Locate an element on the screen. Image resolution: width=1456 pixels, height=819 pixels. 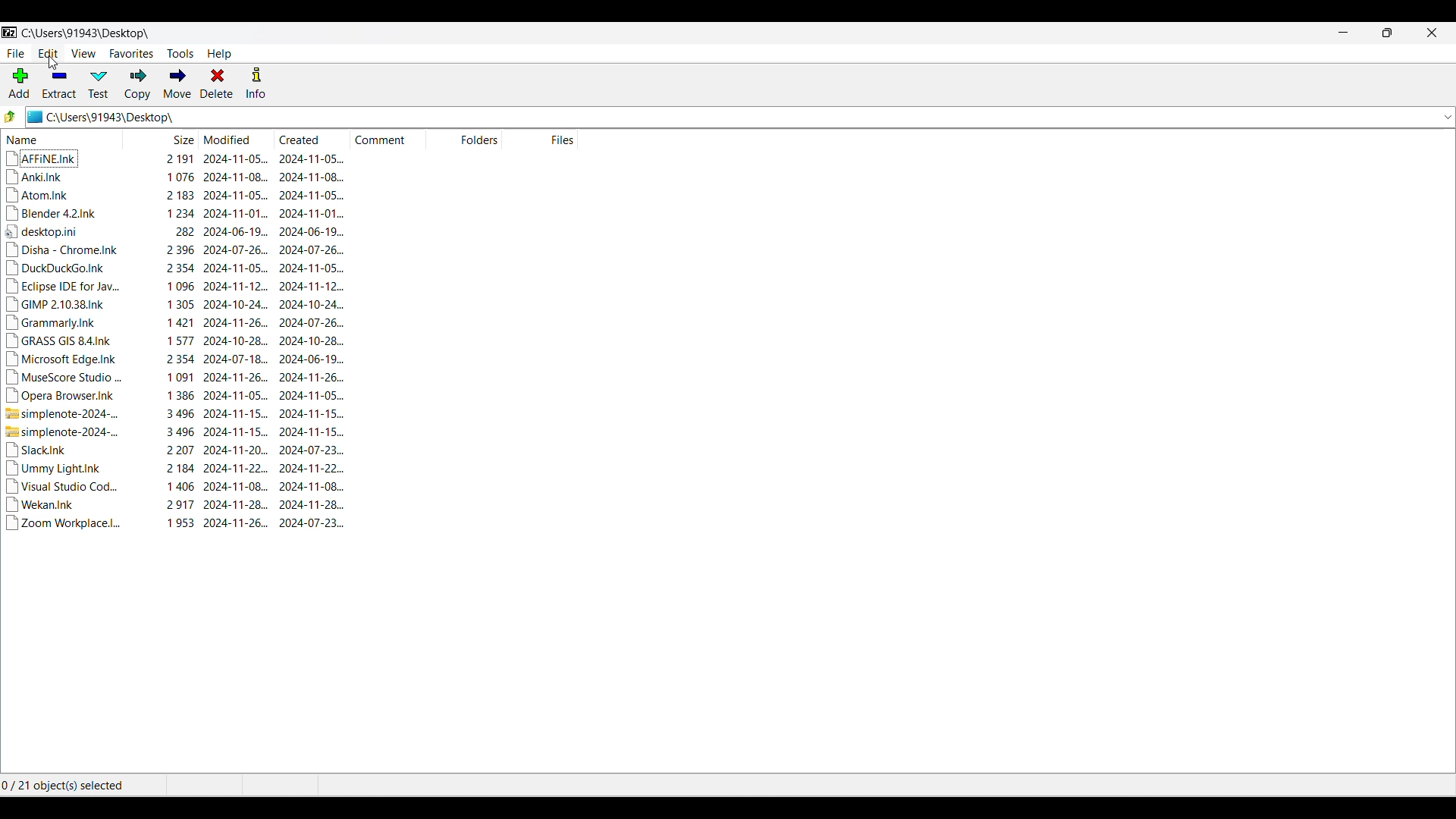
Details of each file in current folder with respect to the column under each is located at coordinates (182, 341).